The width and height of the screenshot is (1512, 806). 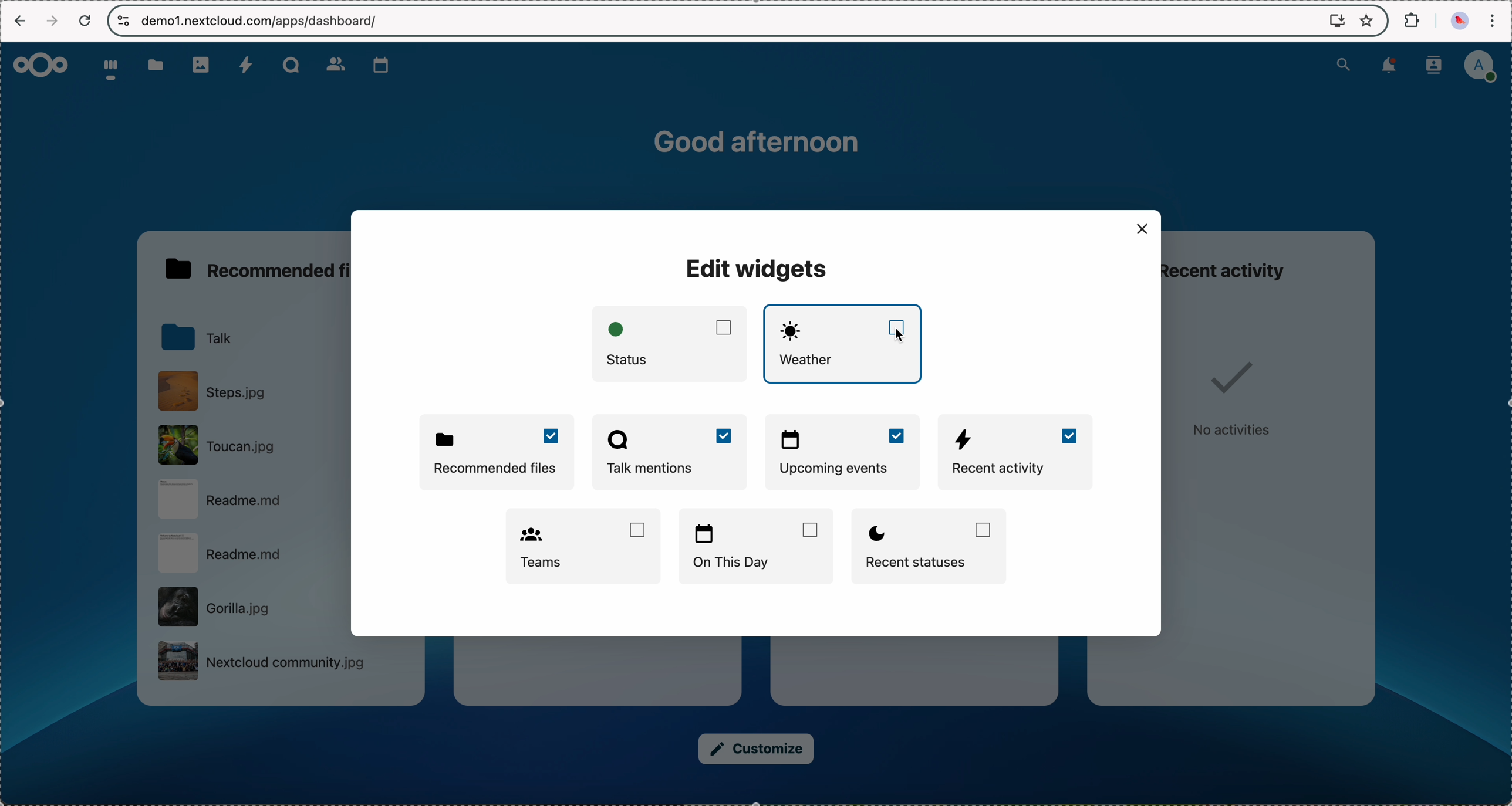 I want to click on recent statuses, so click(x=933, y=547).